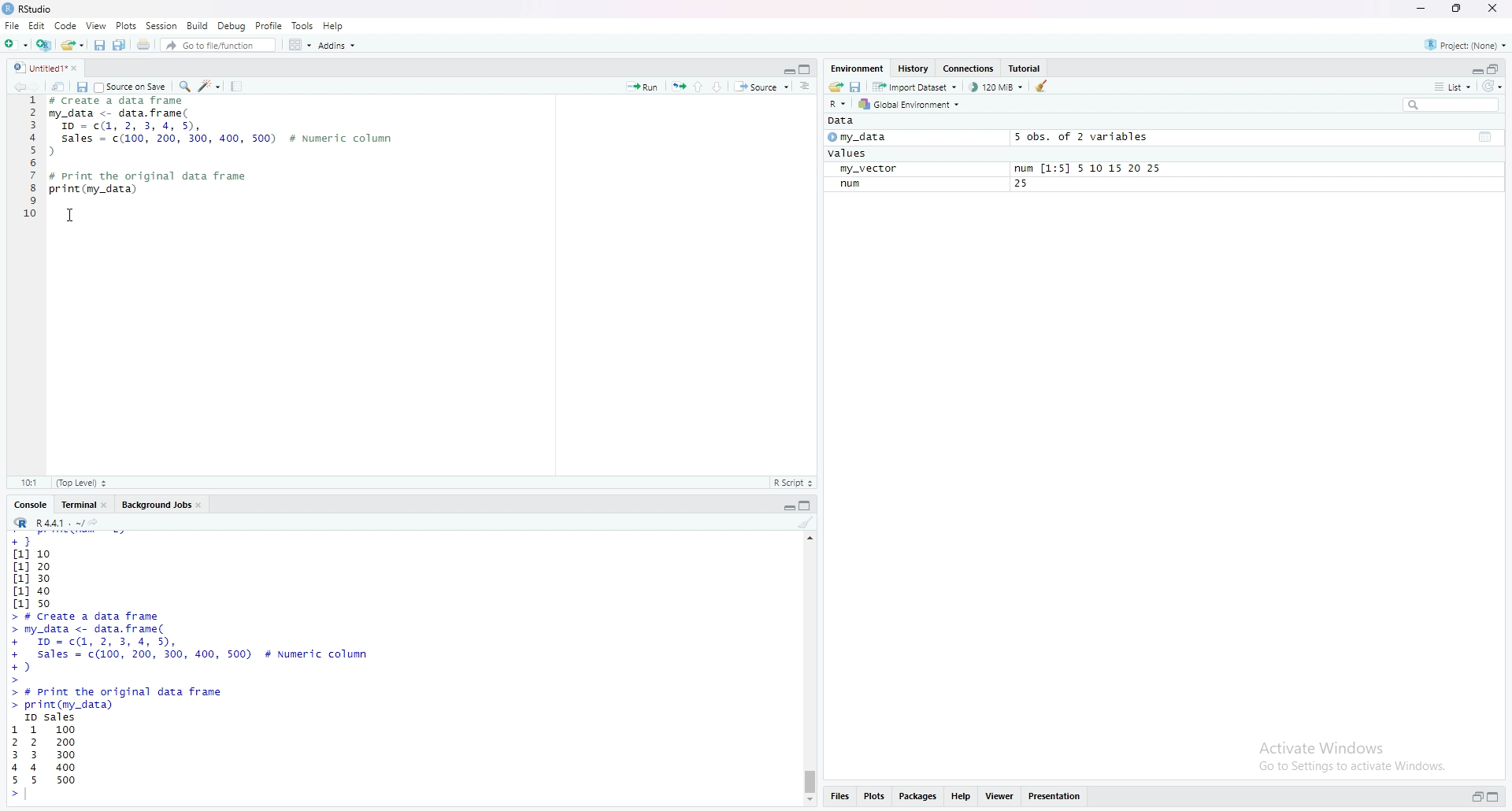 This screenshot has height=811, width=1512. What do you see at coordinates (66, 27) in the screenshot?
I see `Code` at bounding box center [66, 27].